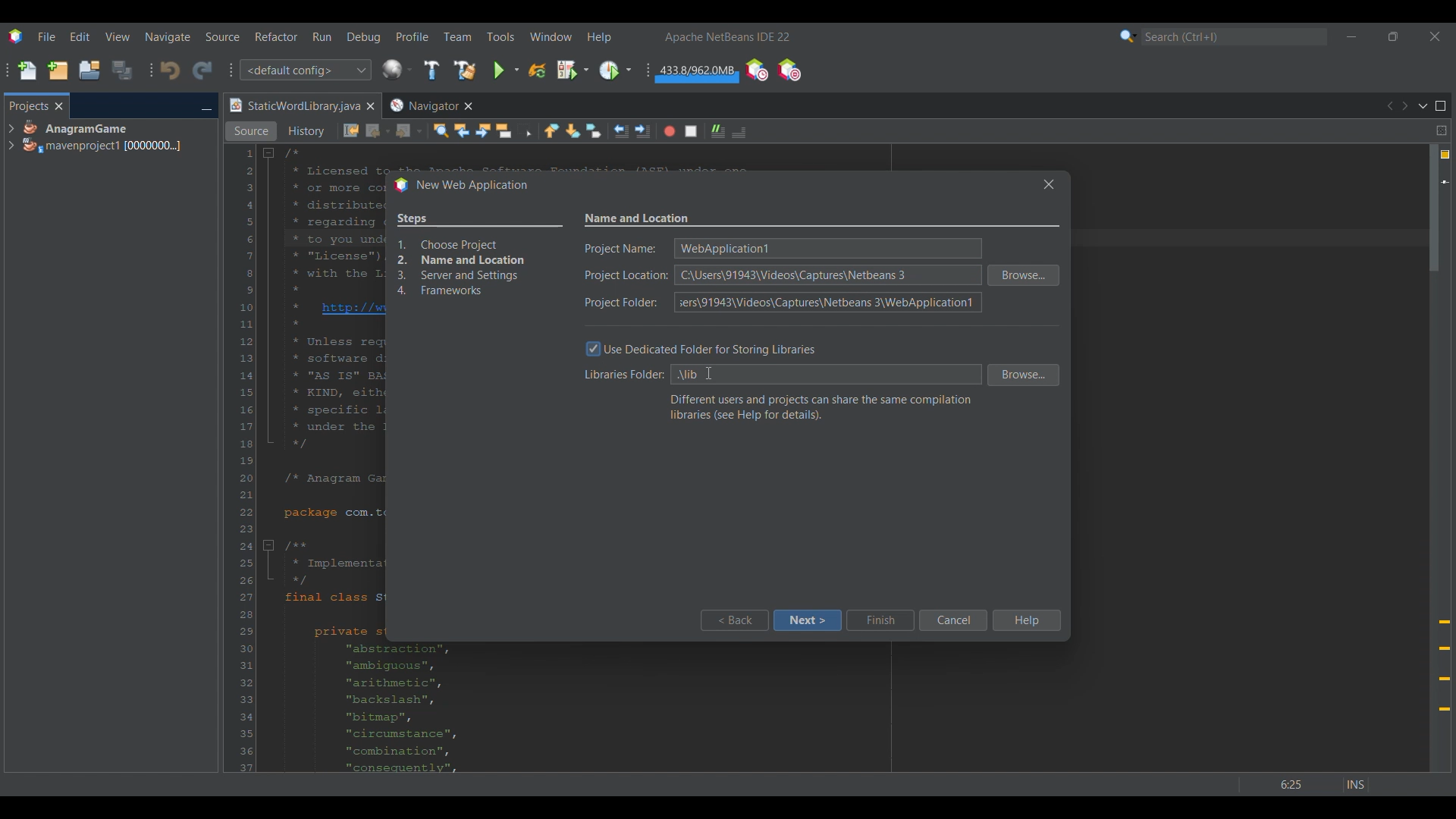  I want to click on Run main project options, so click(507, 70).